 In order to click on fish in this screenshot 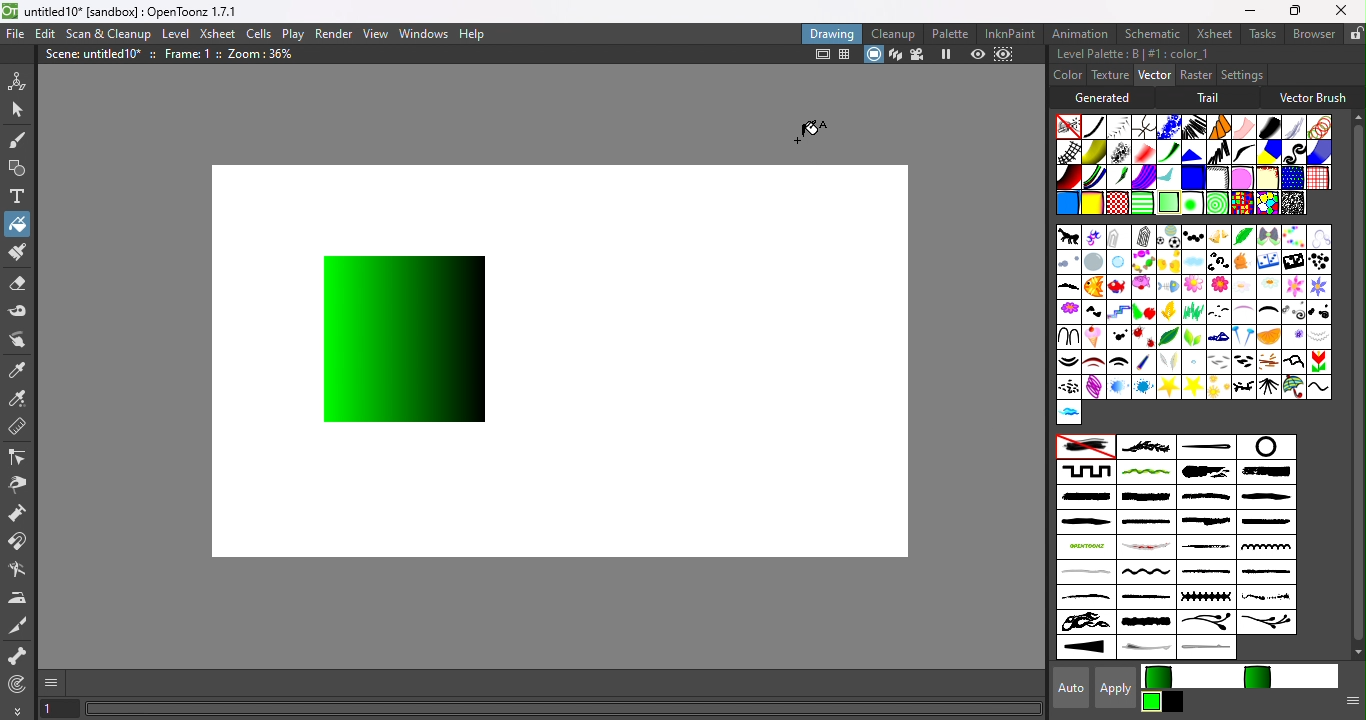, I will do `click(1092, 288)`.